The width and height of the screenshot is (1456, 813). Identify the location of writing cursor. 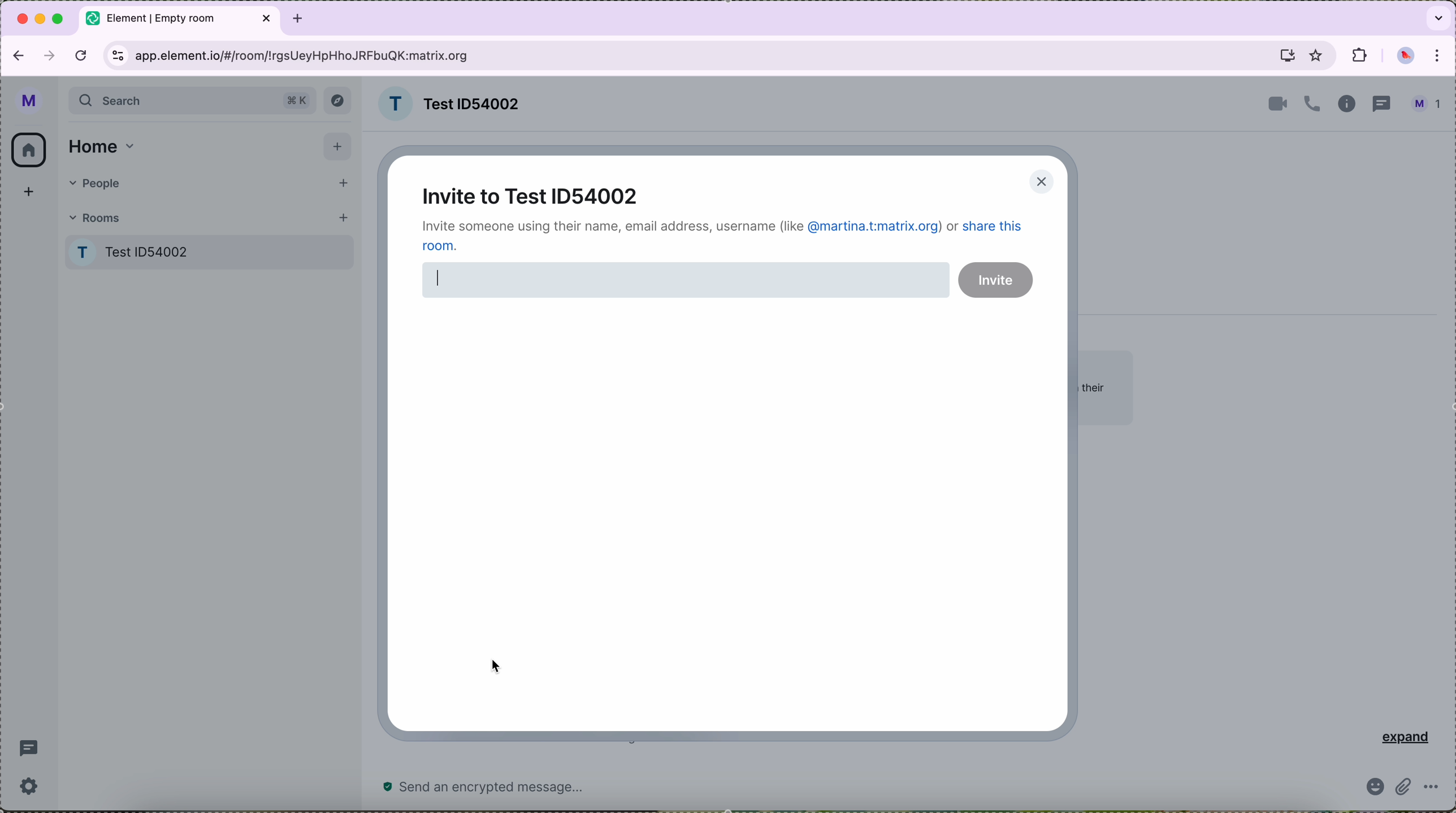
(435, 281).